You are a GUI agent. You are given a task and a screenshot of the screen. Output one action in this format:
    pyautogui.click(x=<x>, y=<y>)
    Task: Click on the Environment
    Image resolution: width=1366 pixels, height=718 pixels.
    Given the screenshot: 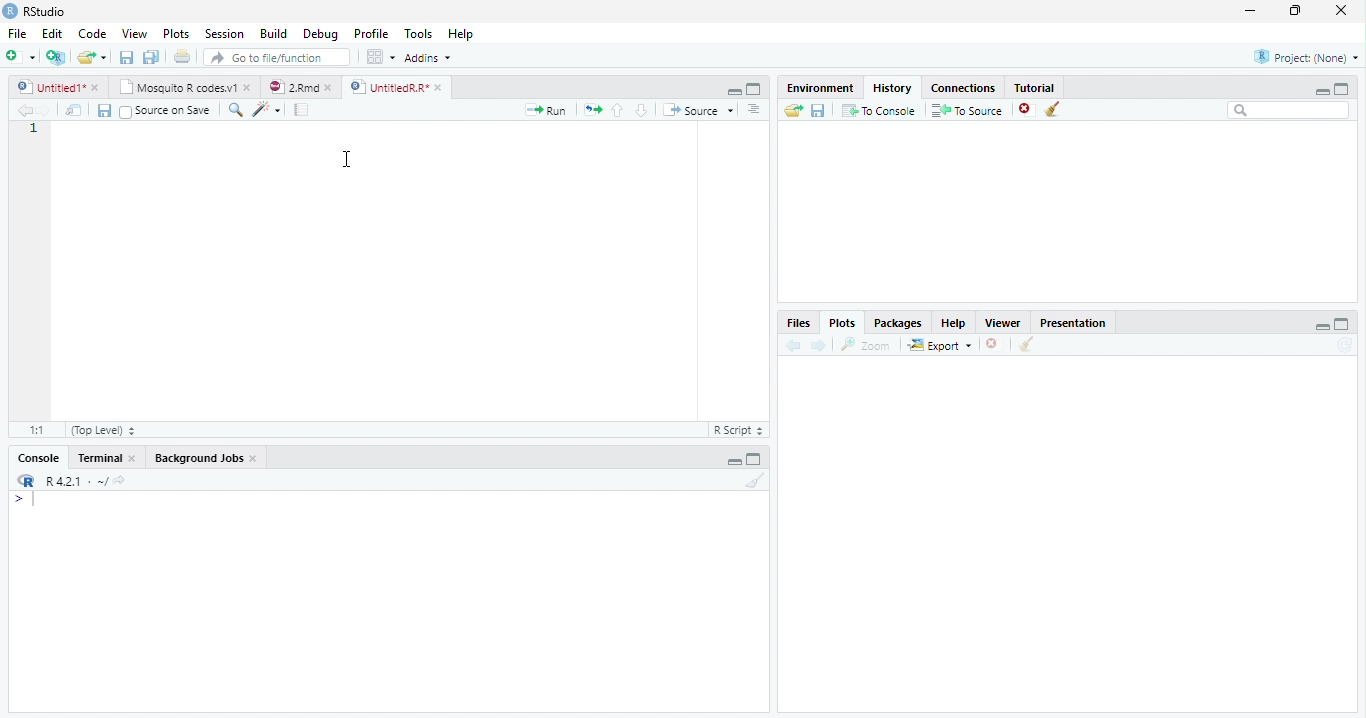 What is the action you would take?
    pyautogui.click(x=822, y=89)
    